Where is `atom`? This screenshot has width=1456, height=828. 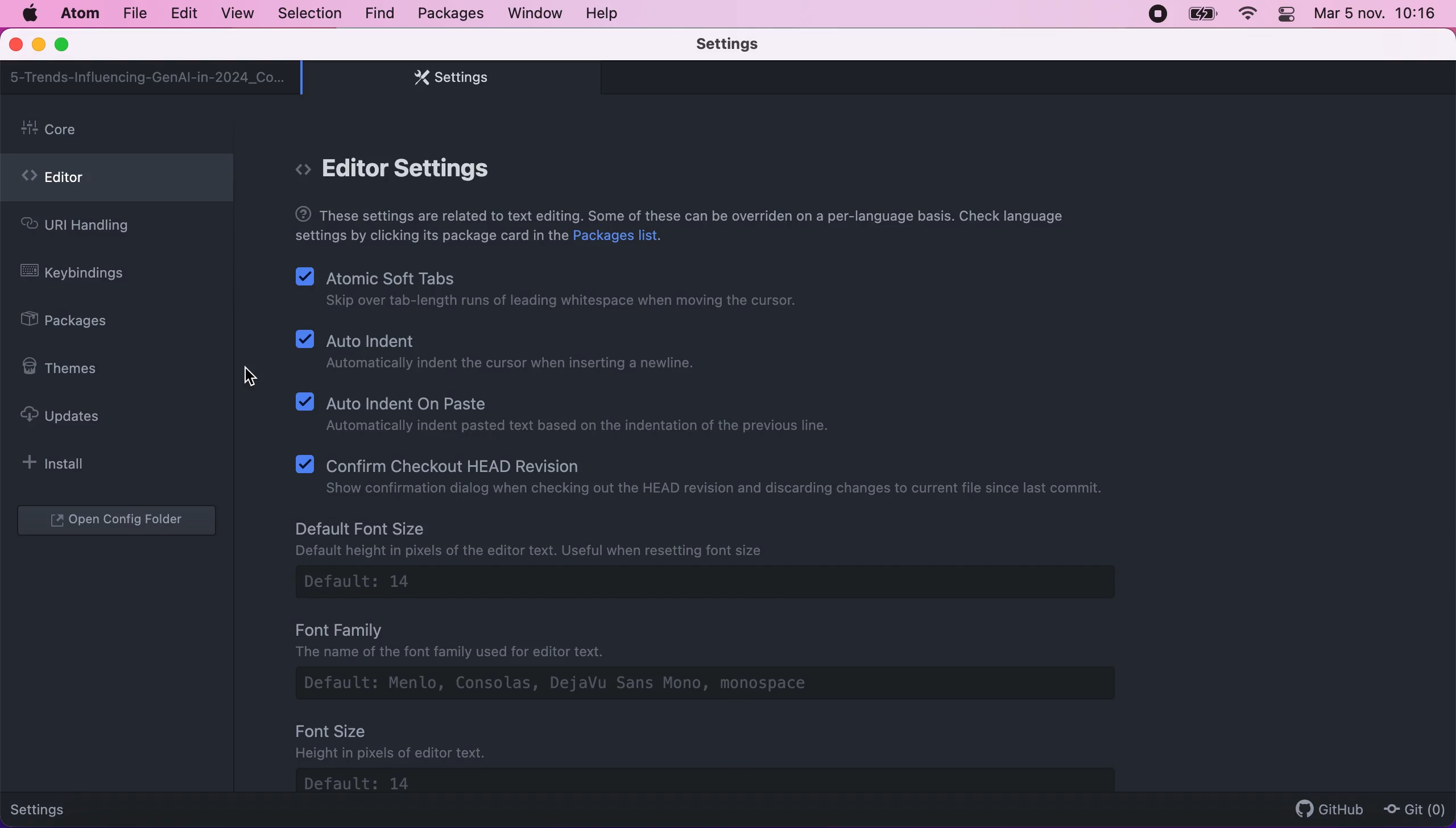 atom is located at coordinates (79, 13).